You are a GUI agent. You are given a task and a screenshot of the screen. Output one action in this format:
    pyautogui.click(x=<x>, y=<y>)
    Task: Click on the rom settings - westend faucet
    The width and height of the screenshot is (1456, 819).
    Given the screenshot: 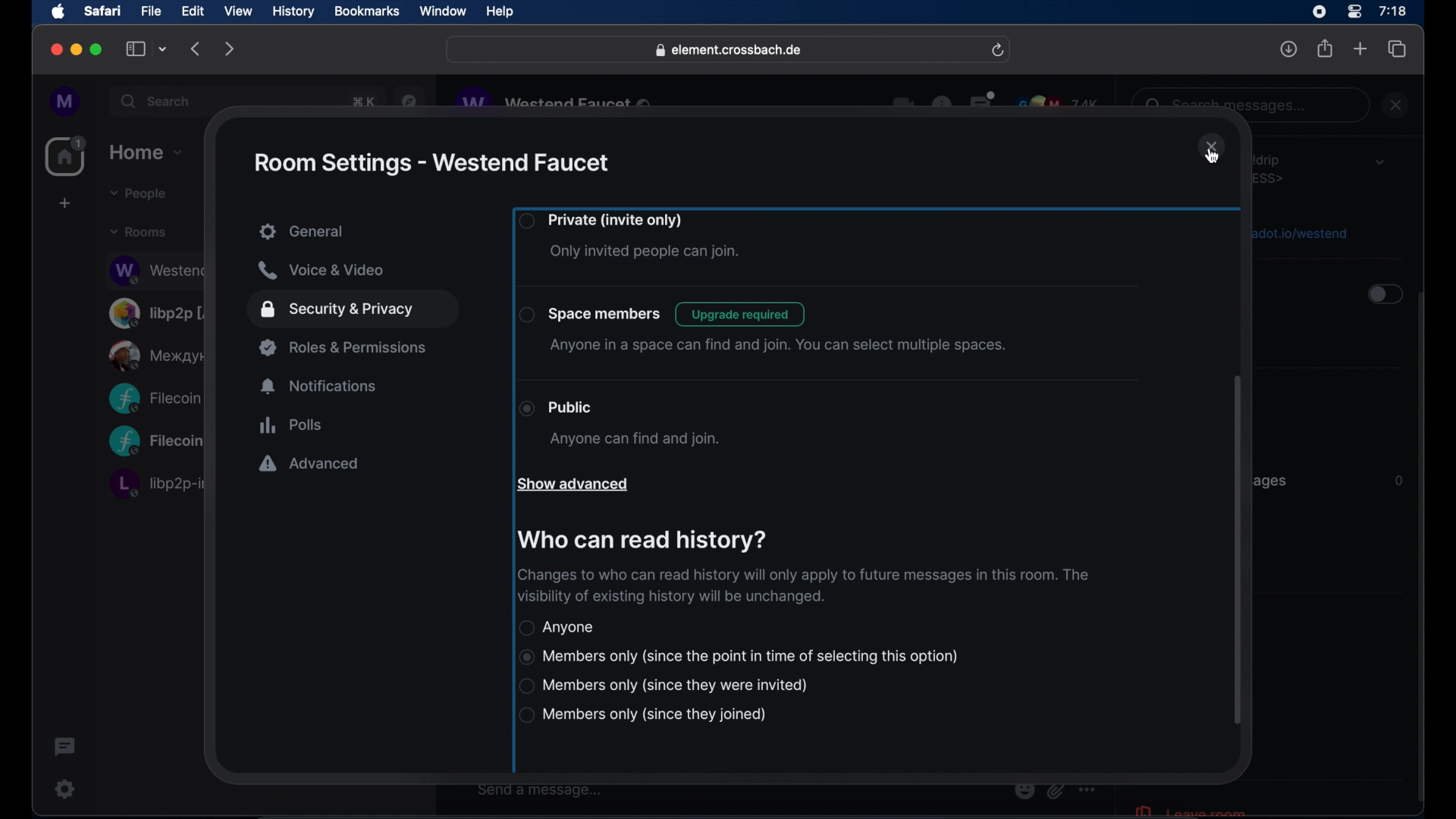 What is the action you would take?
    pyautogui.click(x=430, y=163)
    